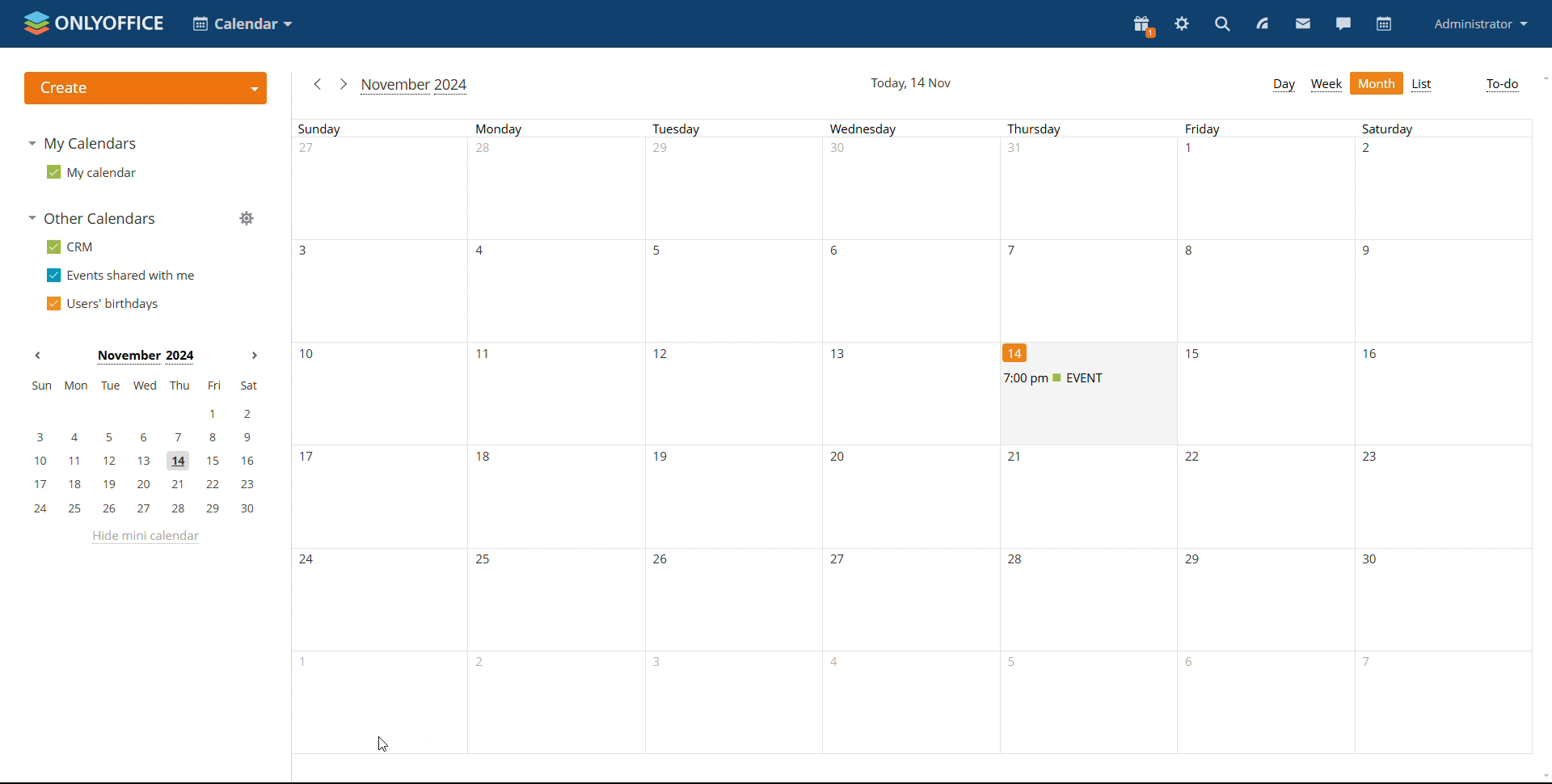 This screenshot has width=1552, height=784. Describe the element at coordinates (123, 276) in the screenshot. I see `events shared with me` at that location.